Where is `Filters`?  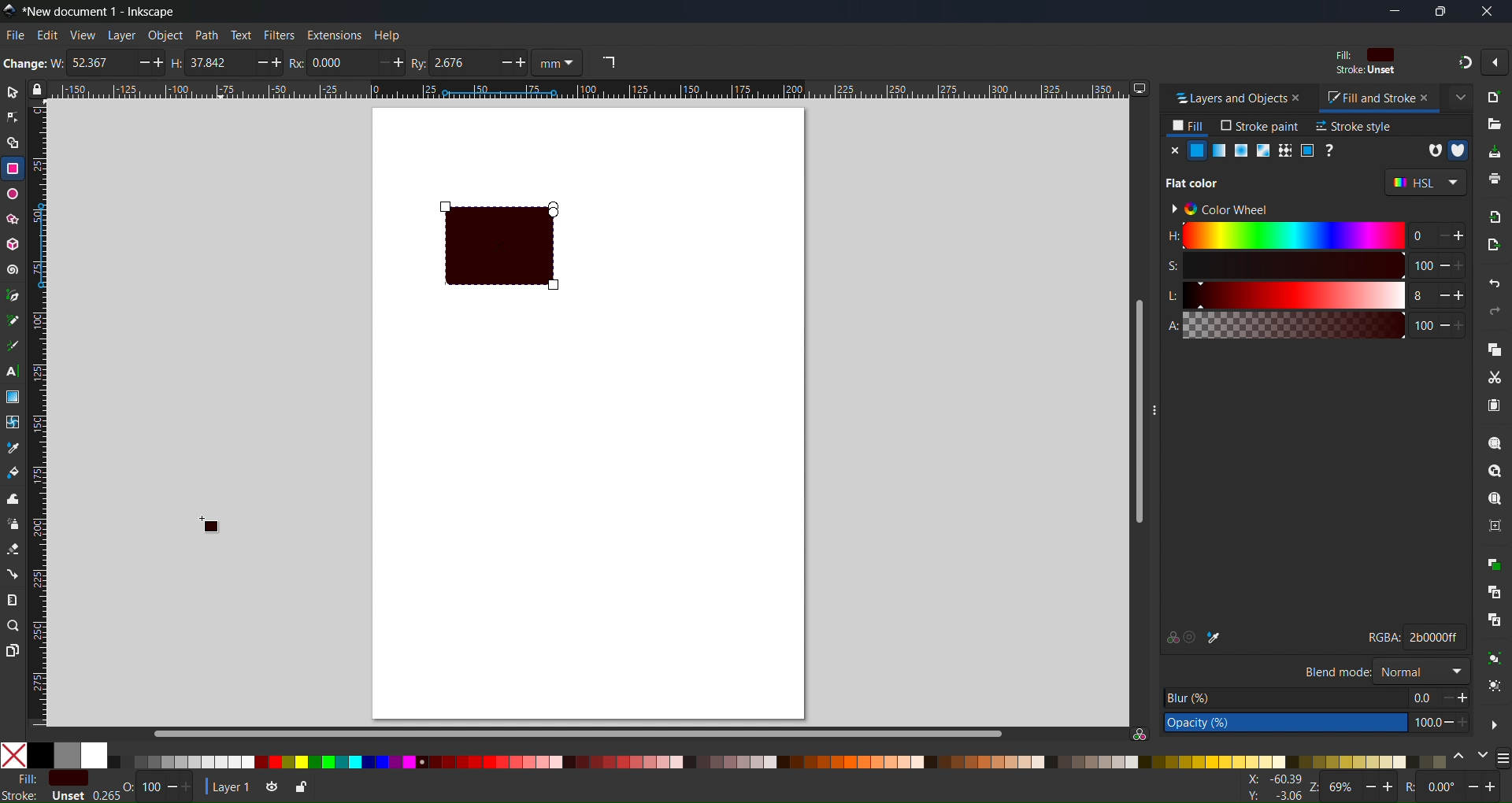
Filters is located at coordinates (279, 35).